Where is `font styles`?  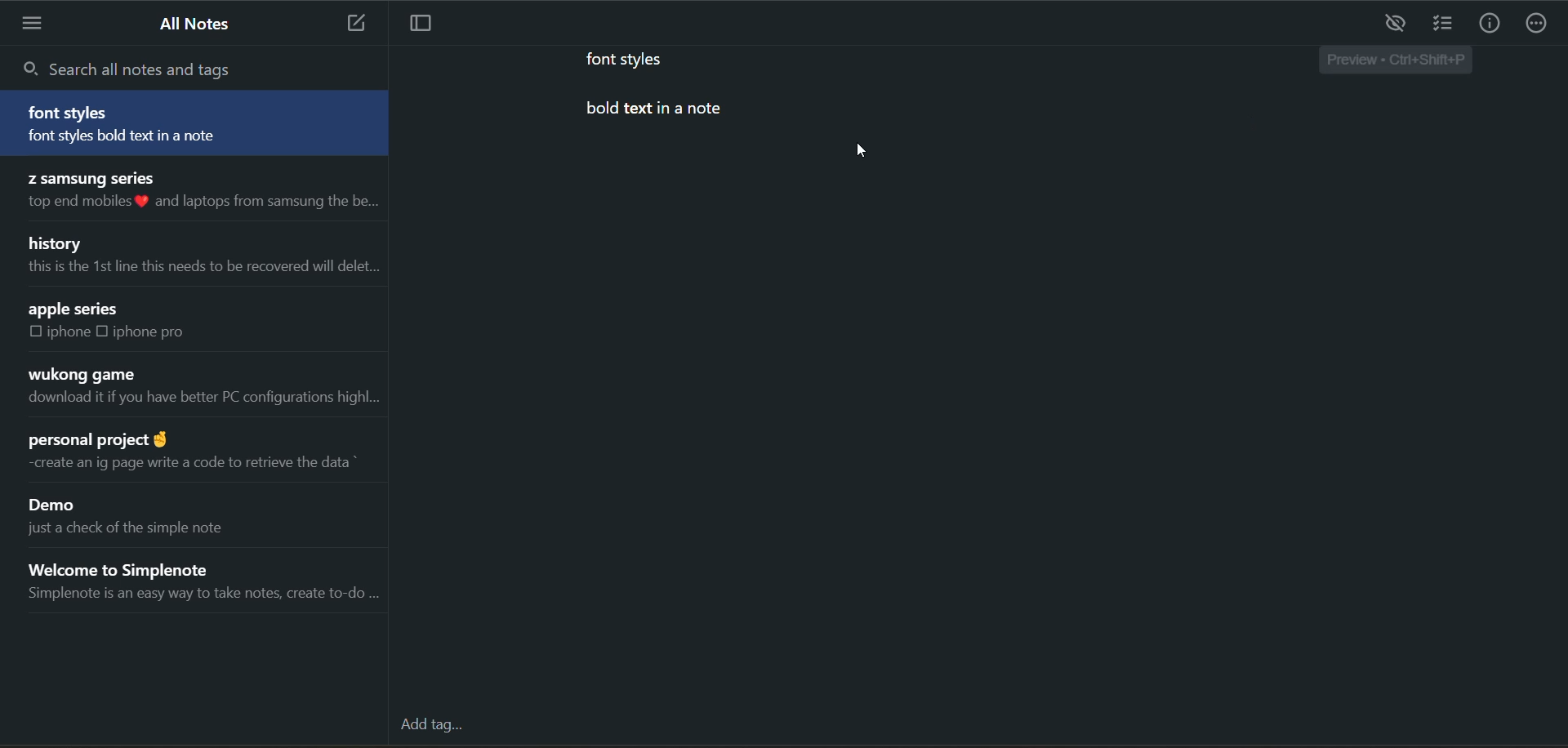 font styles is located at coordinates (72, 113).